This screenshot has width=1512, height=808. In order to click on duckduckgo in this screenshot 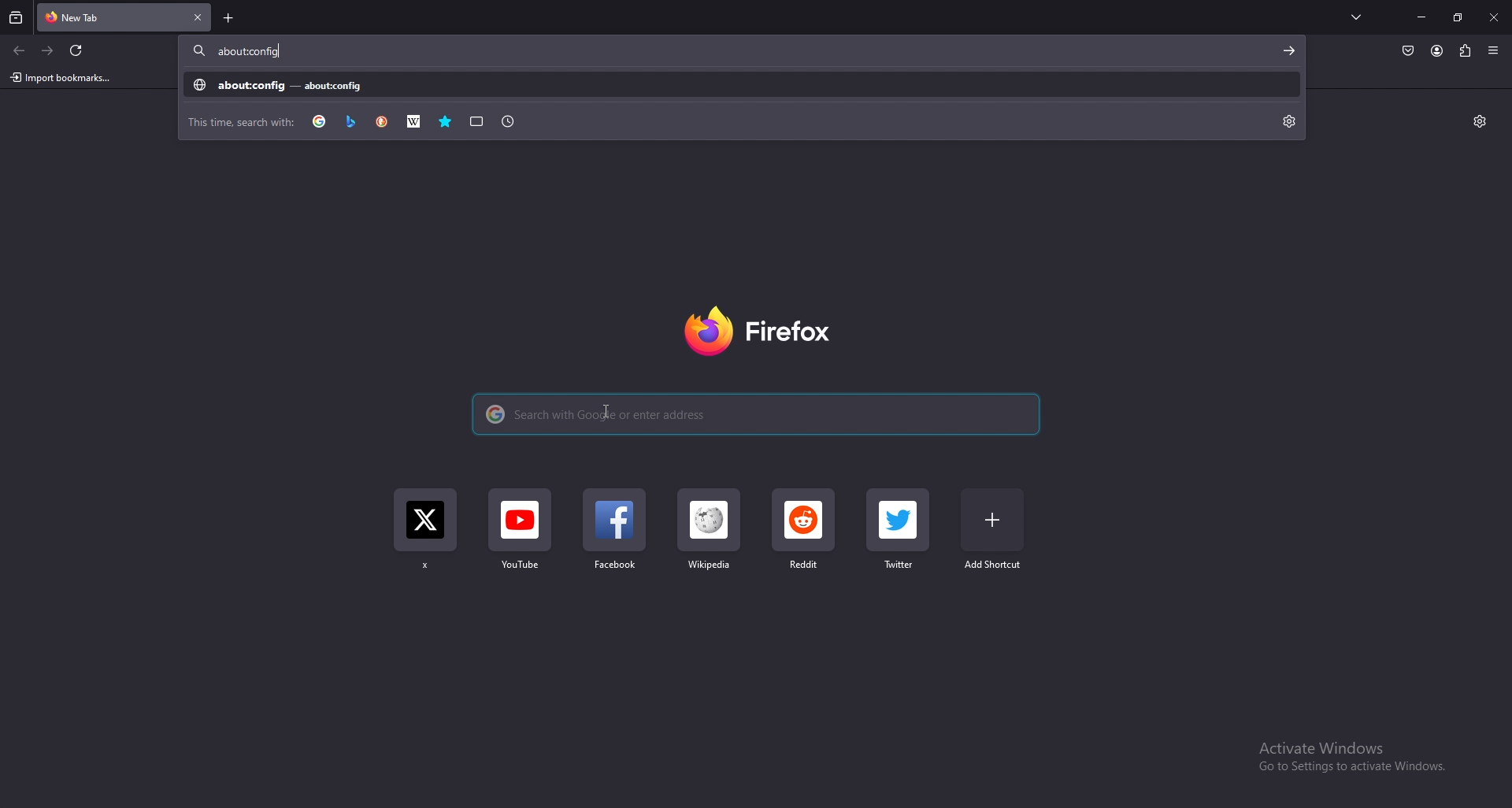, I will do `click(382, 121)`.